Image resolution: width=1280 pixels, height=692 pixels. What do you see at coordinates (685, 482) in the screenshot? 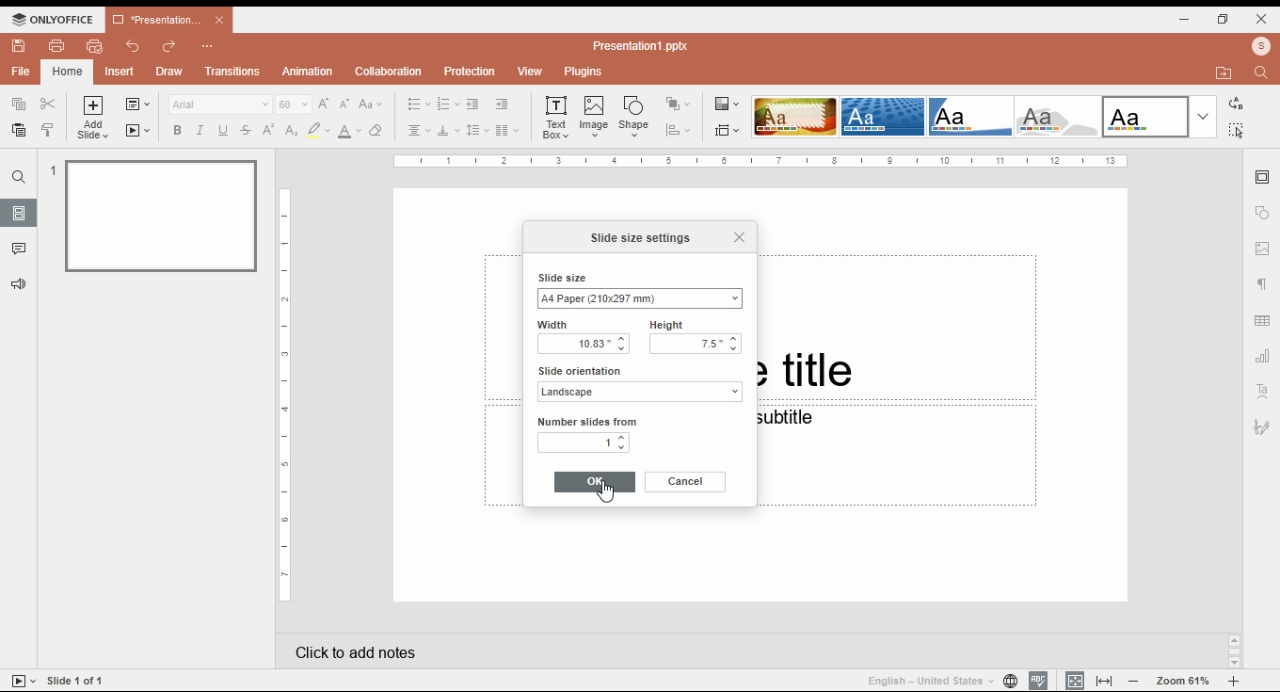
I see `cancel` at bounding box center [685, 482].